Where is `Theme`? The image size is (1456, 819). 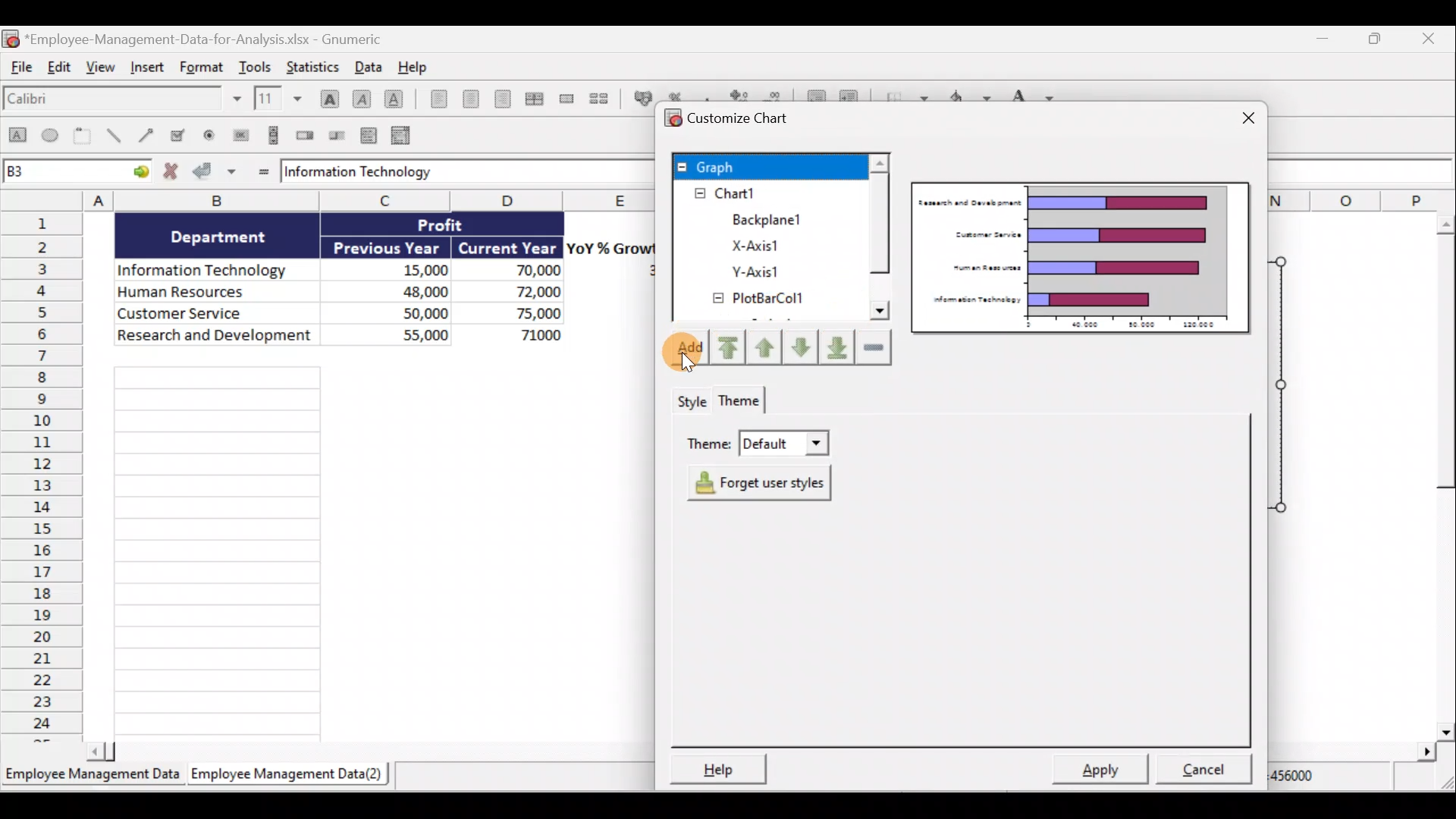 Theme is located at coordinates (757, 439).